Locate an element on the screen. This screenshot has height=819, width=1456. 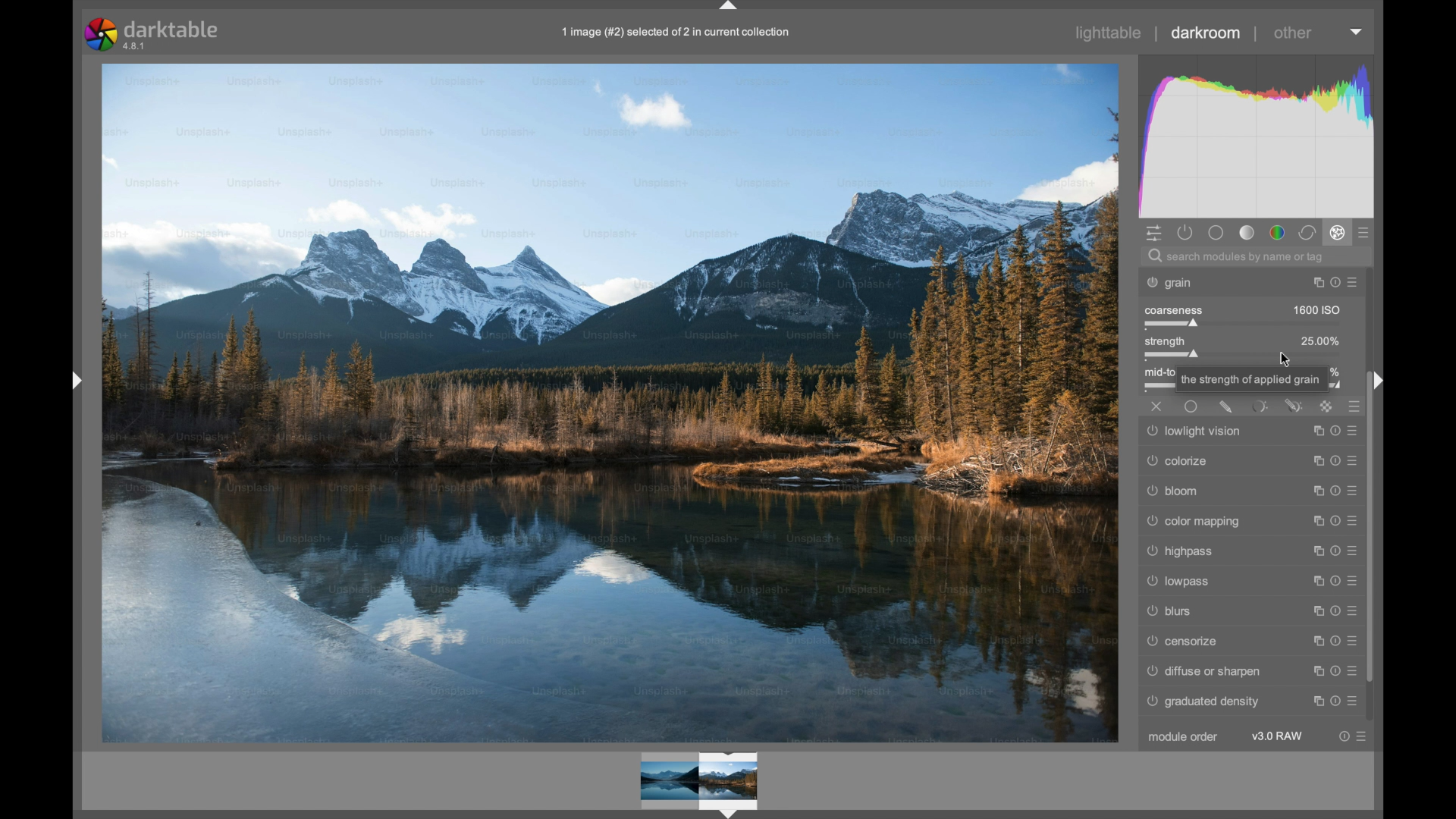
v3.0 RAW is located at coordinates (1277, 736).